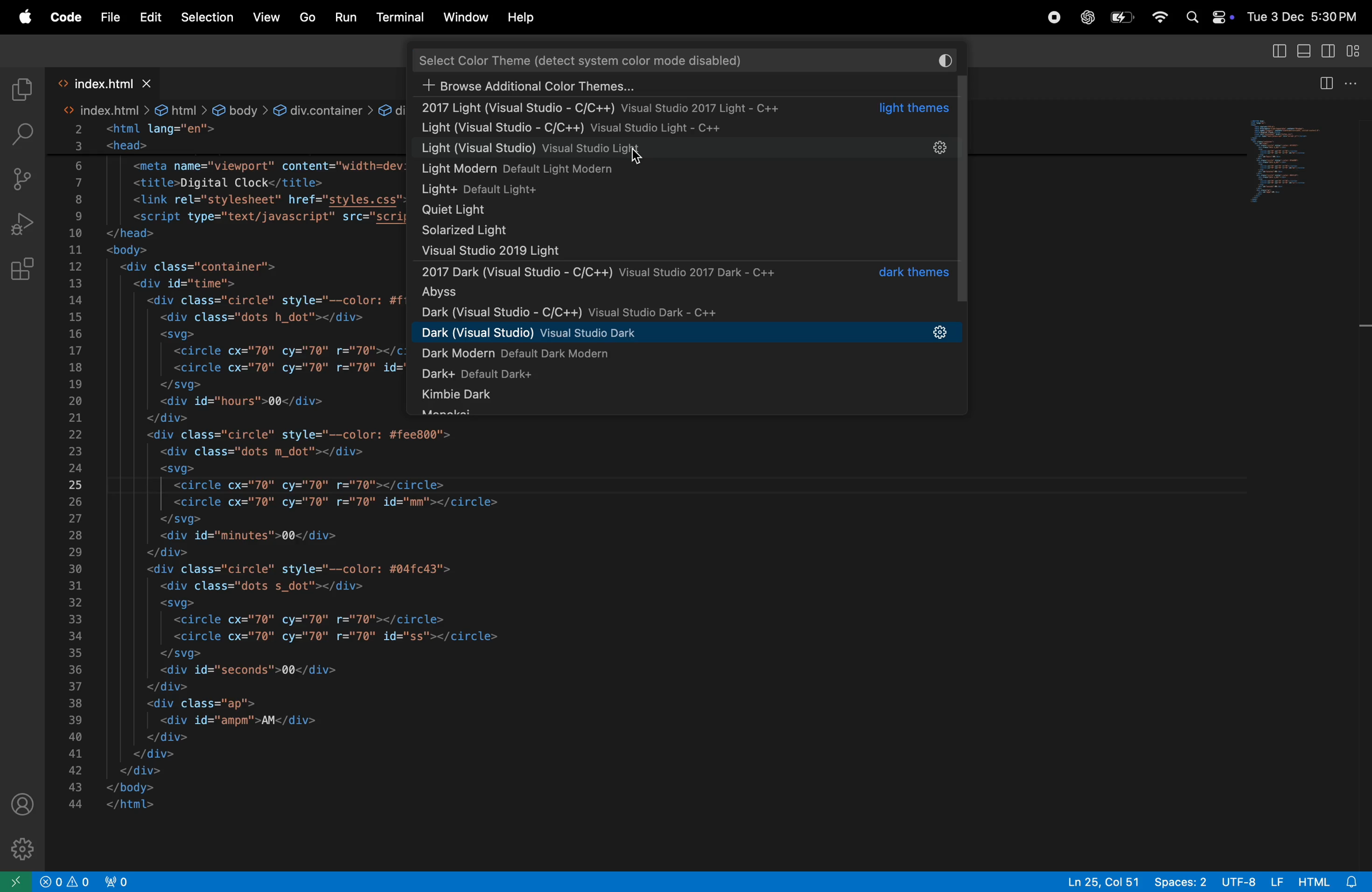 Image resolution: width=1372 pixels, height=892 pixels. Describe the element at coordinates (939, 149) in the screenshot. I see `setting` at that location.